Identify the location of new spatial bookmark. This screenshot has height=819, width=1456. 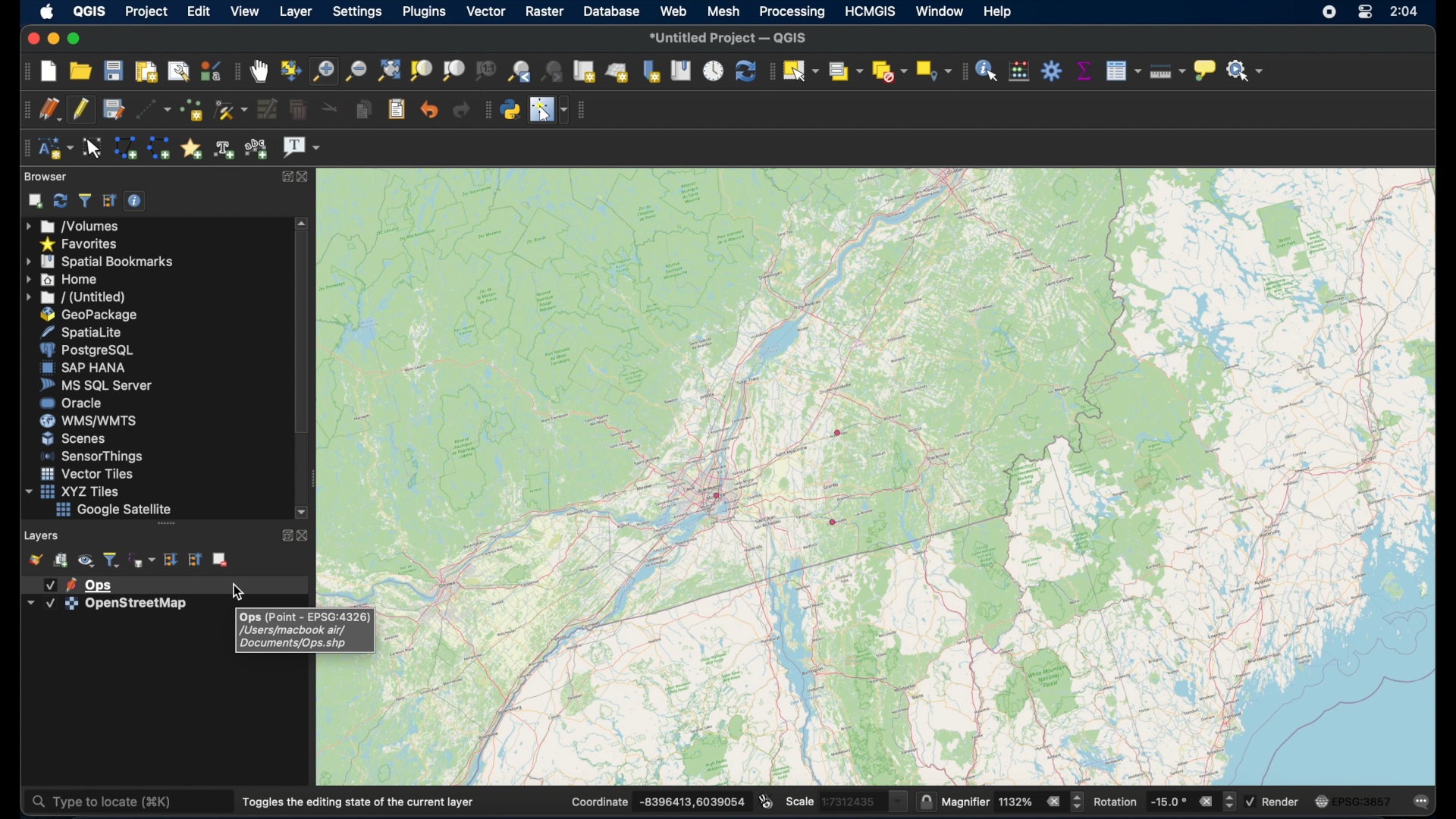
(651, 70).